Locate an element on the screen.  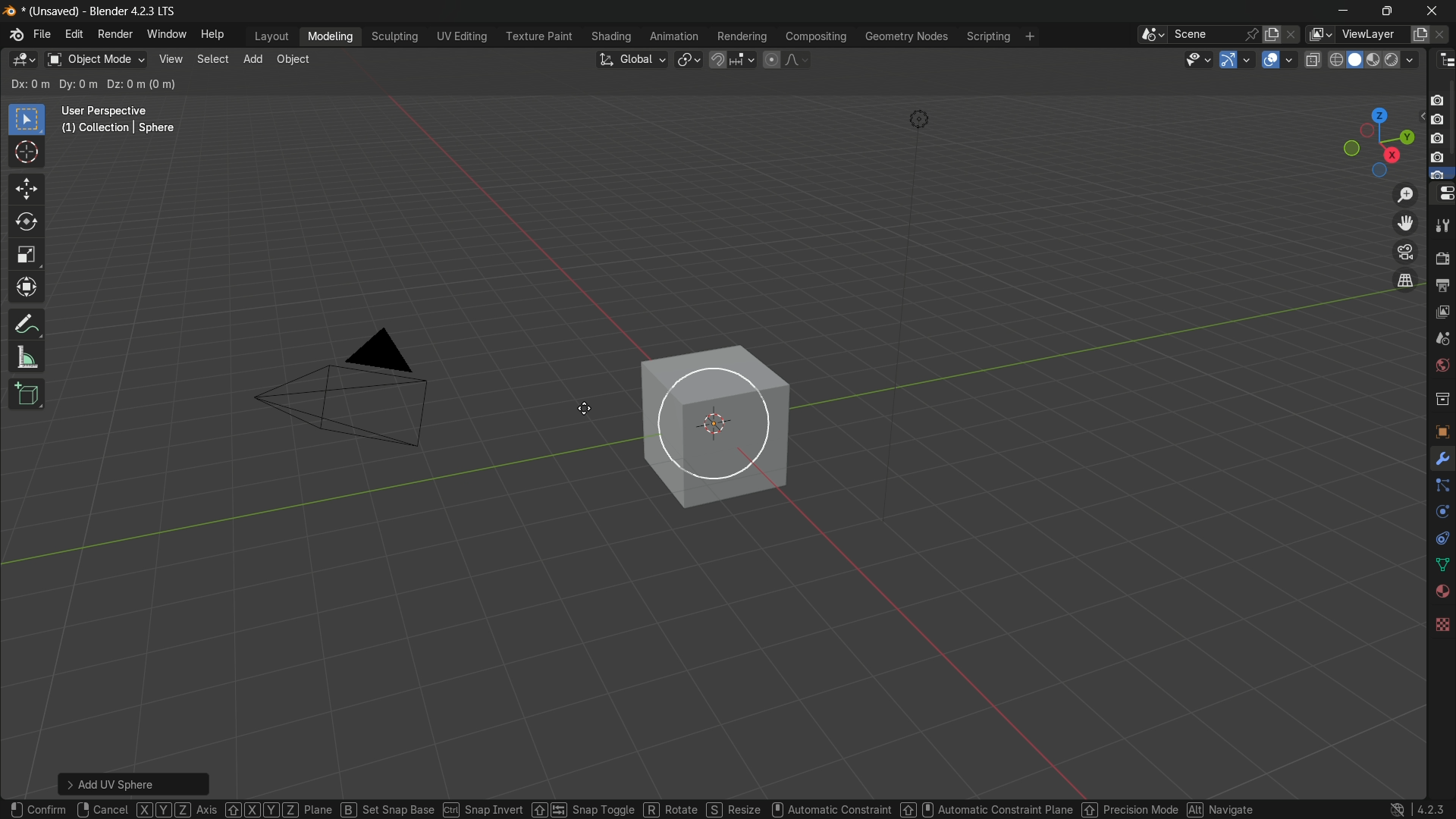
properties is located at coordinates (1442, 194).